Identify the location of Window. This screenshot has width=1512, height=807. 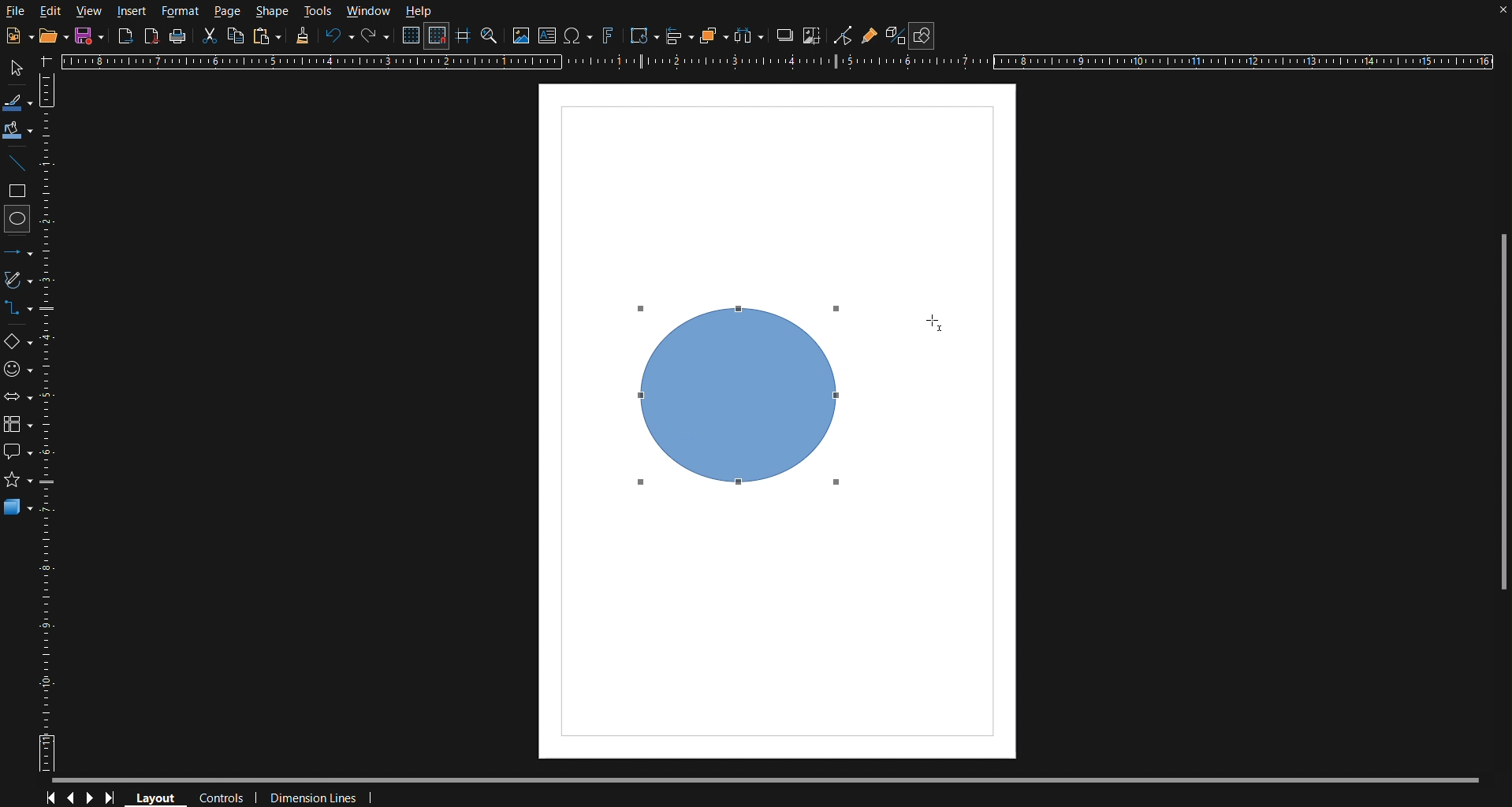
(368, 10).